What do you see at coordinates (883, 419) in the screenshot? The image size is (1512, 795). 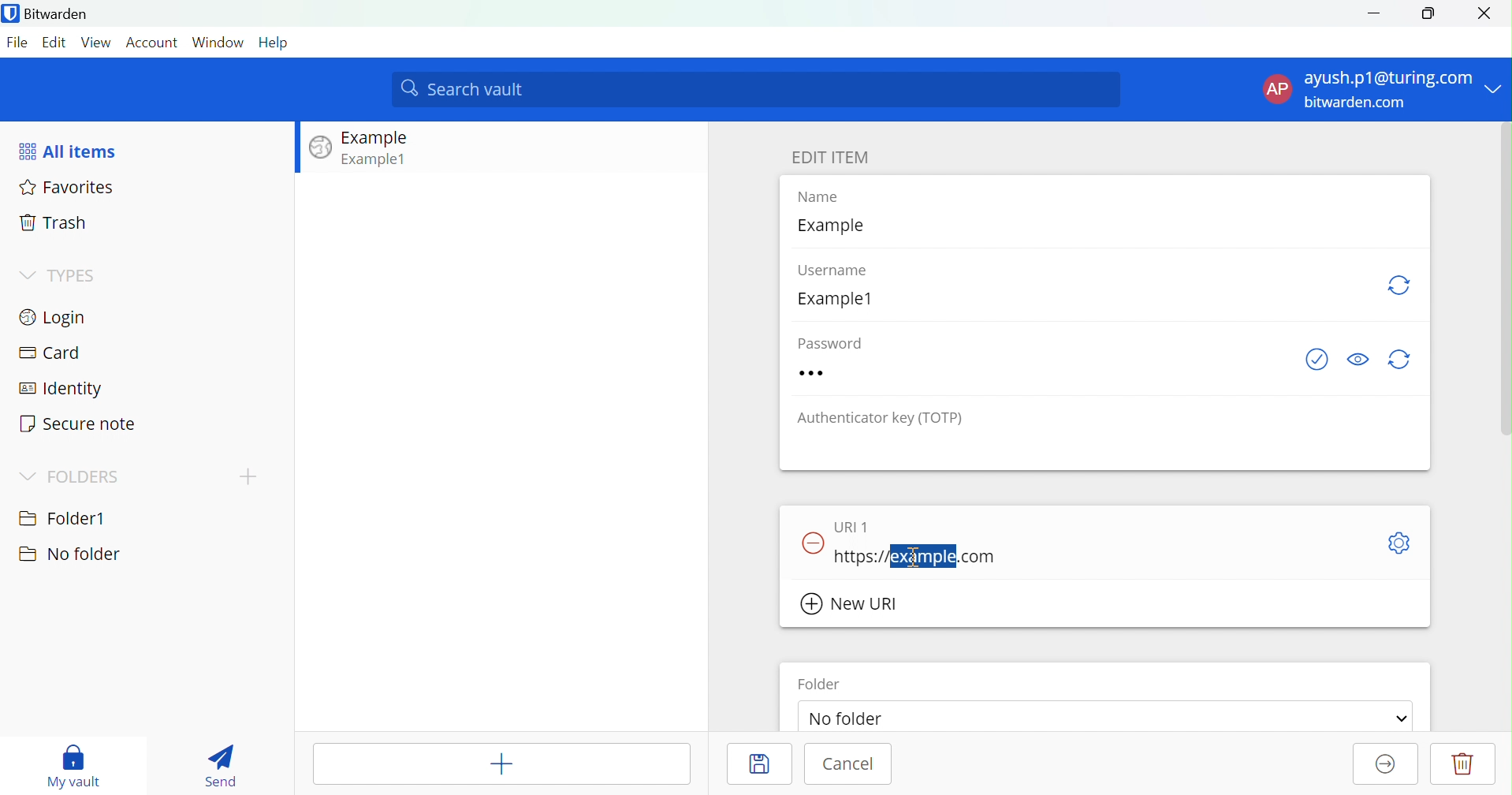 I see `Authenticator key (TOTP)` at bounding box center [883, 419].